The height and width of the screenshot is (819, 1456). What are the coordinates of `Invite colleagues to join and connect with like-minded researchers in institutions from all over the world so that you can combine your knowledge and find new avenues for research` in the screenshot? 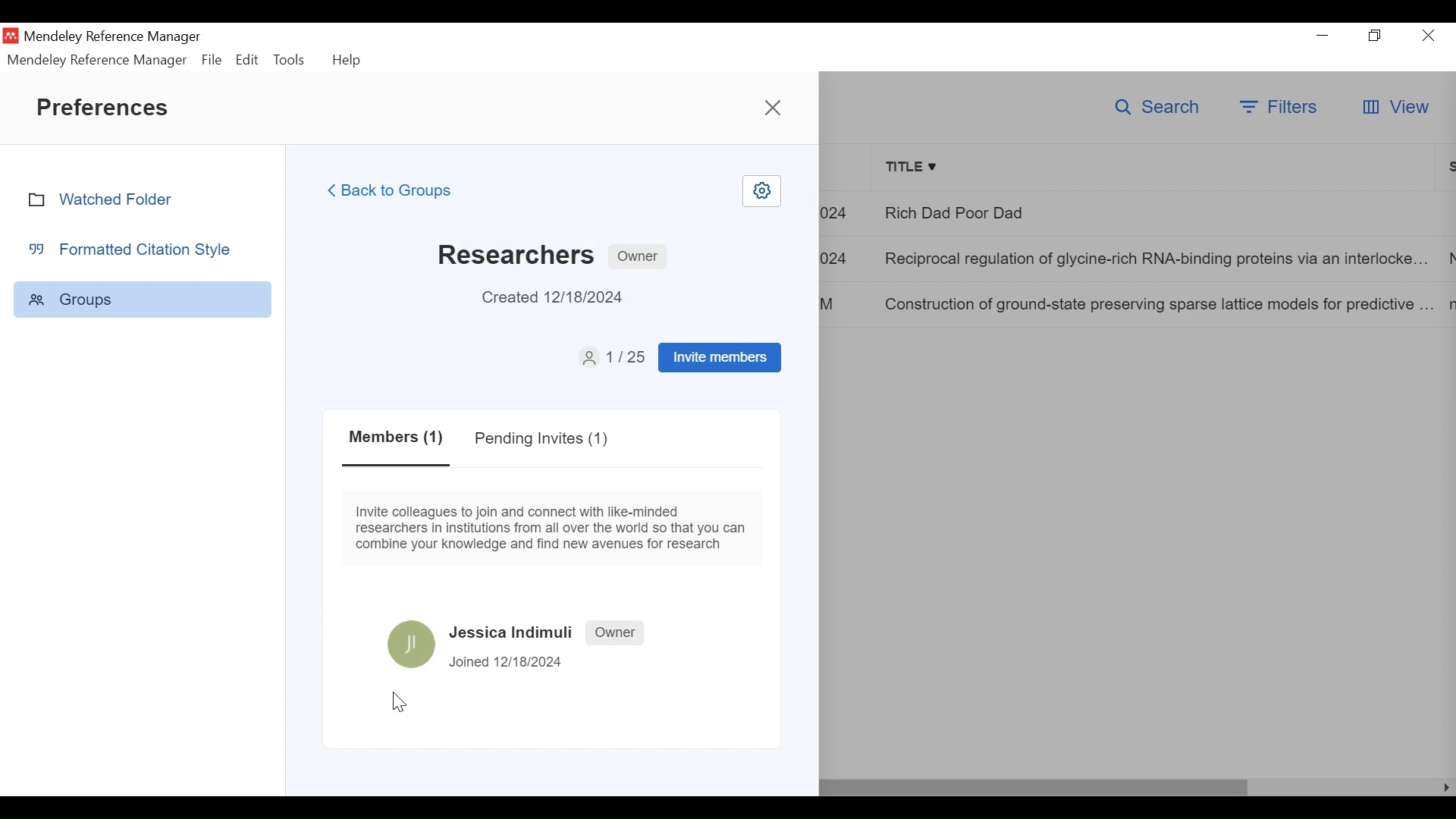 It's located at (554, 526).